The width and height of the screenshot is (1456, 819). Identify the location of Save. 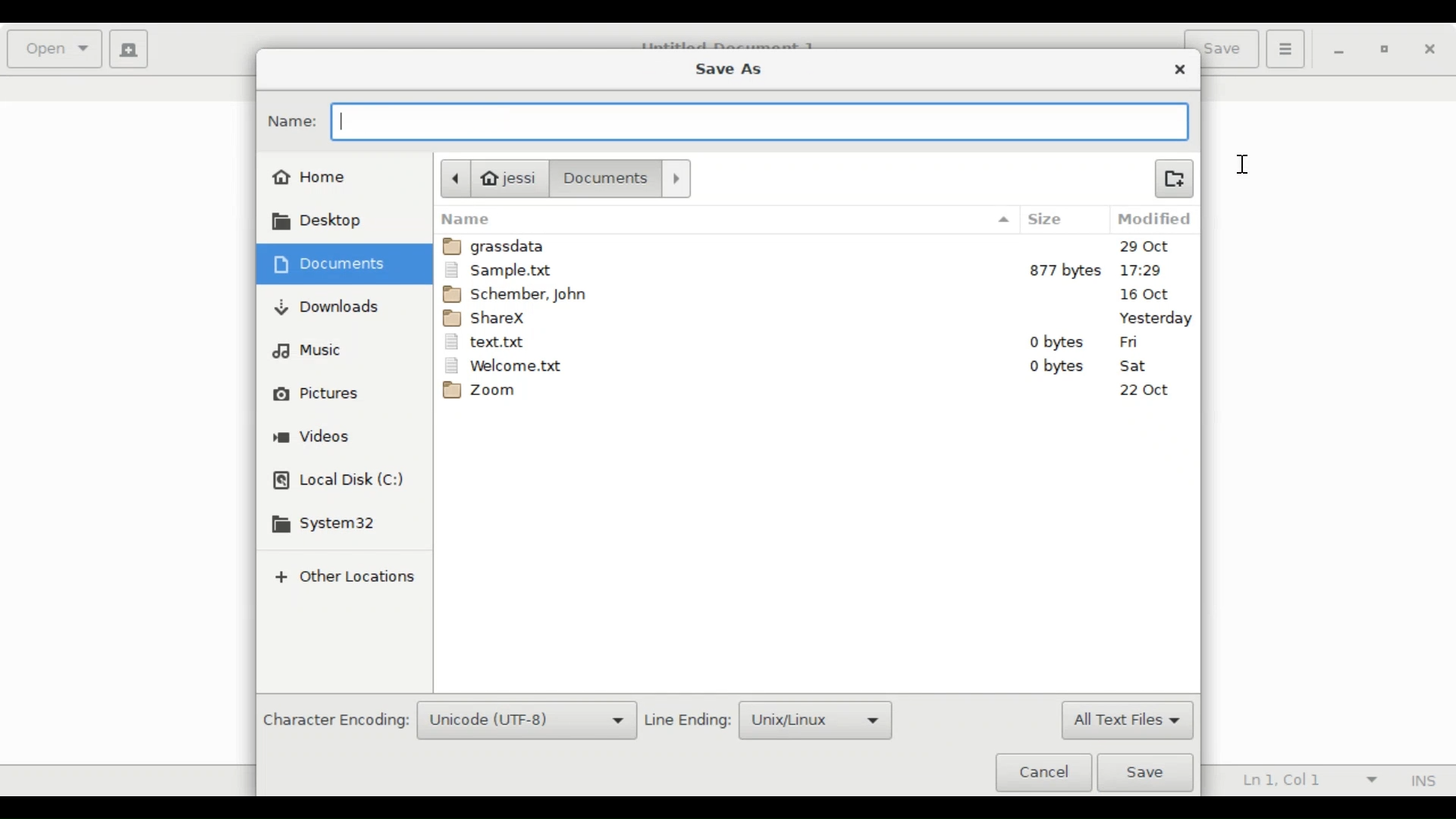
(1150, 773).